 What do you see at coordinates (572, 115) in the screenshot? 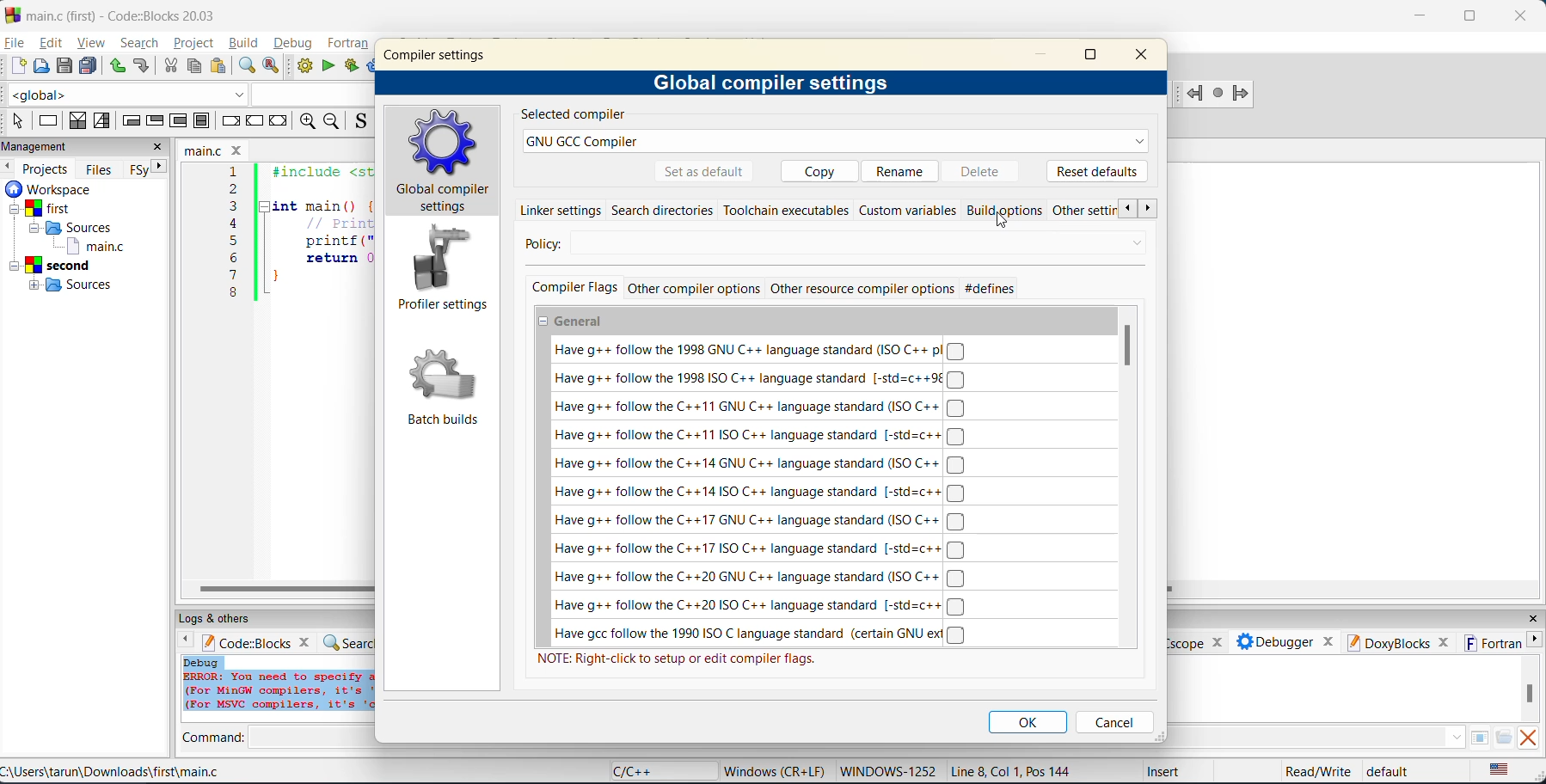
I see `selected compiler` at bounding box center [572, 115].